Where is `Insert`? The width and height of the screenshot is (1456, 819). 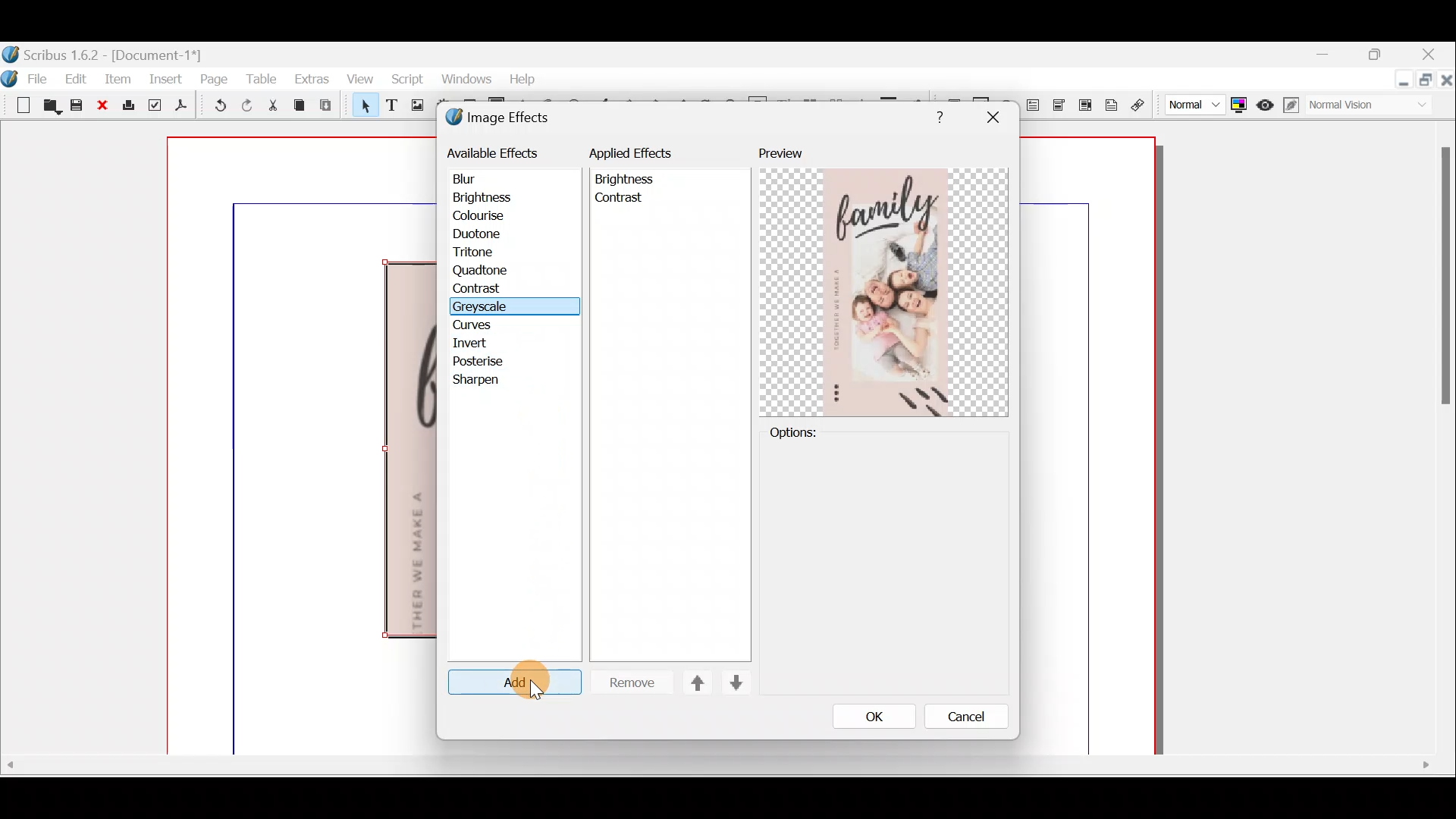
Insert is located at coordinates (165, 83).